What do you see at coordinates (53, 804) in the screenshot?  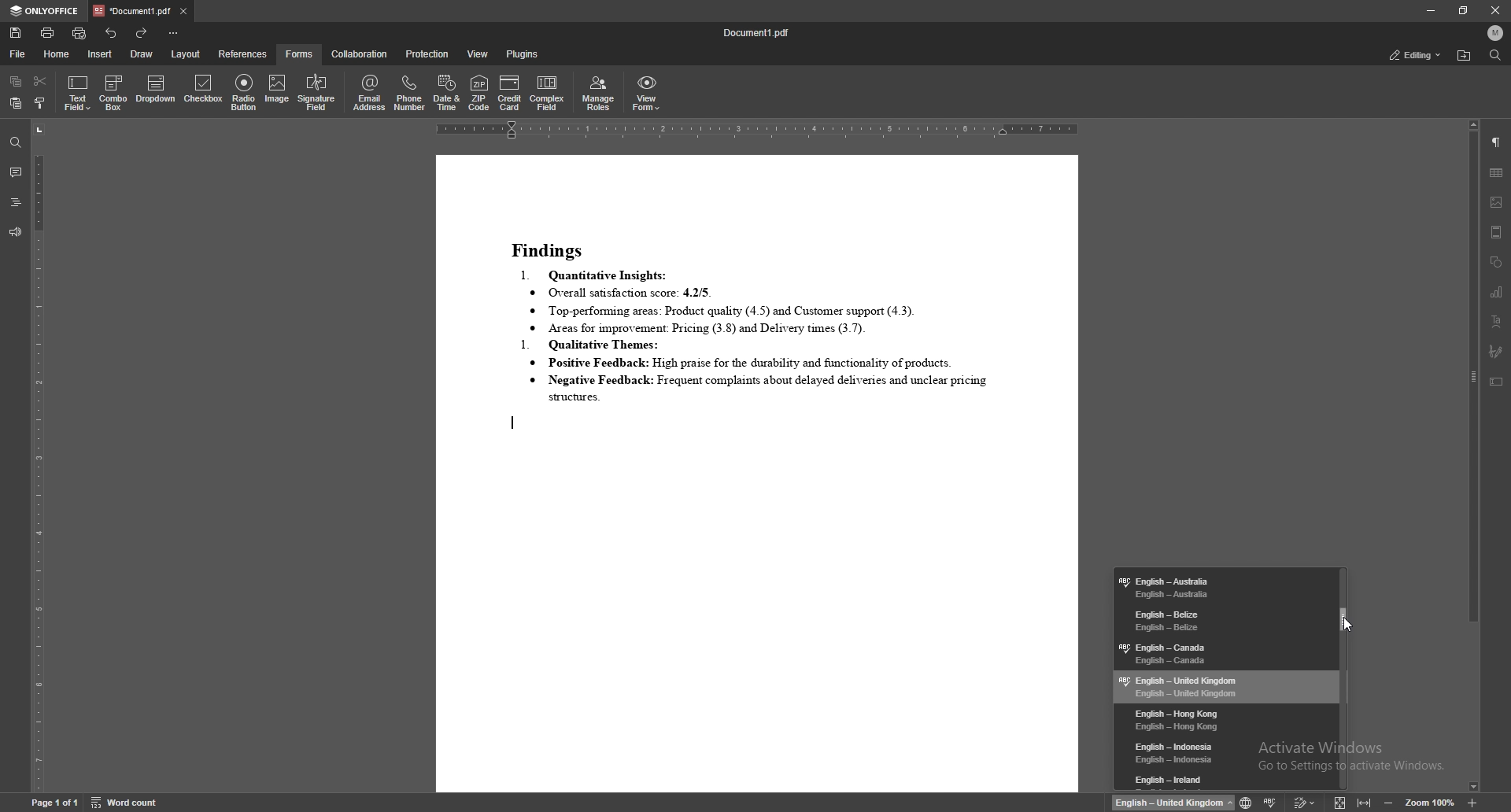 I see `page information` at bounding box center [53, 804].